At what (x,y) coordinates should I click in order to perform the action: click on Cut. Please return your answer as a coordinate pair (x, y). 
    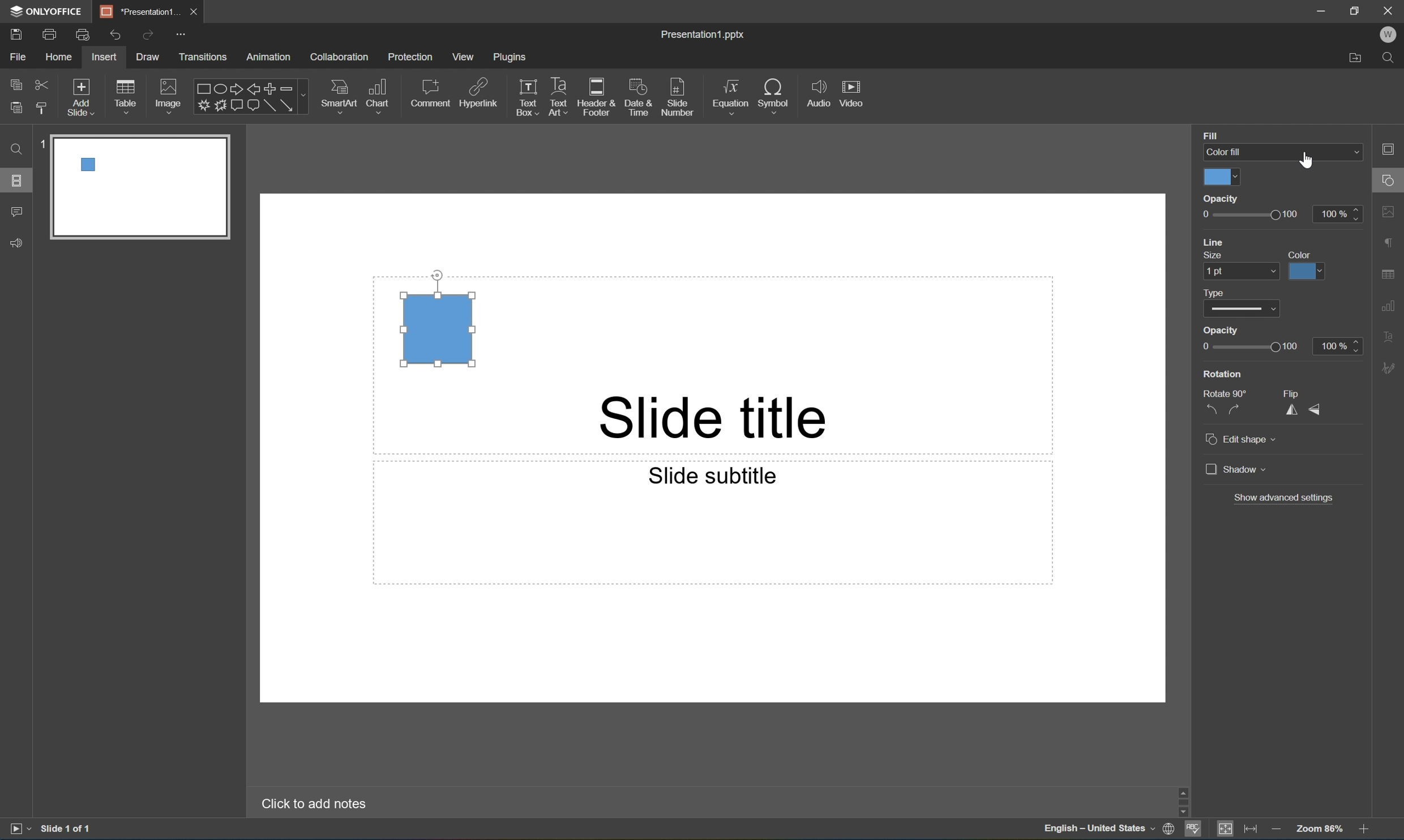
    Looking at the image, I should click on (42, 84).